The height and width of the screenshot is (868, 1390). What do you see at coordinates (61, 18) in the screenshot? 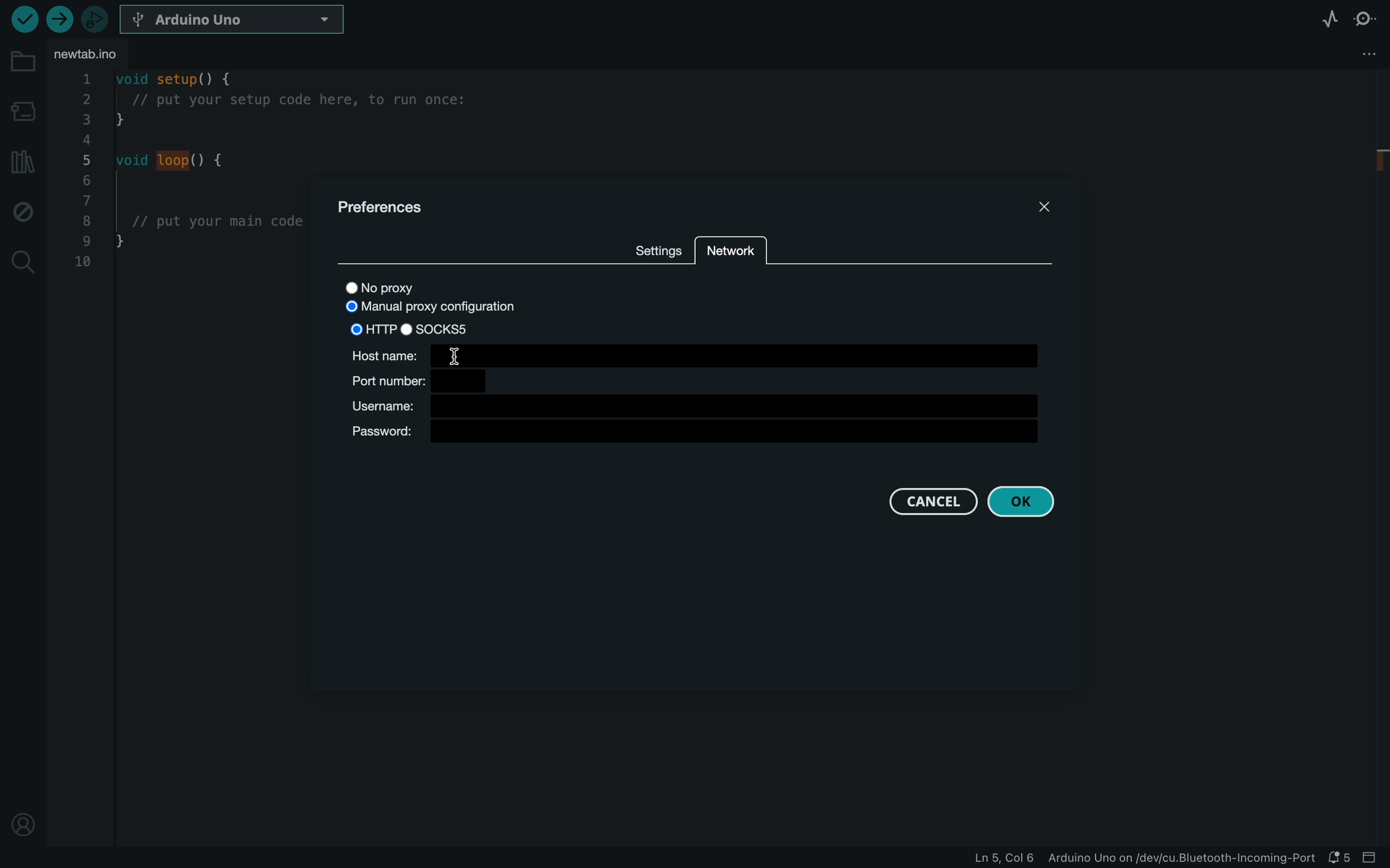
I see `upload` at bounding box center [61, 18].